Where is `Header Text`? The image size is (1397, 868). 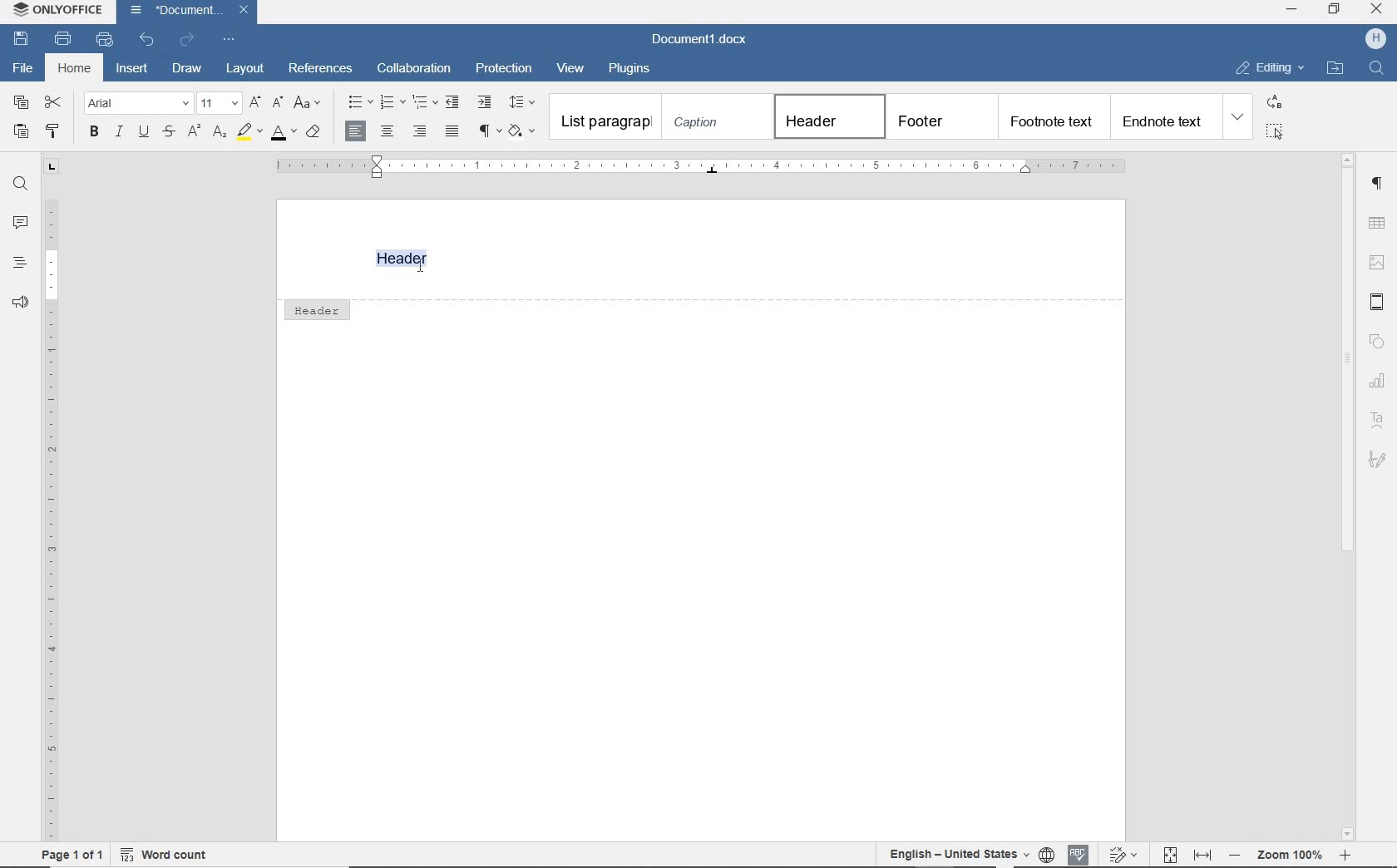 Header Text is located at coordinates (409, 259).